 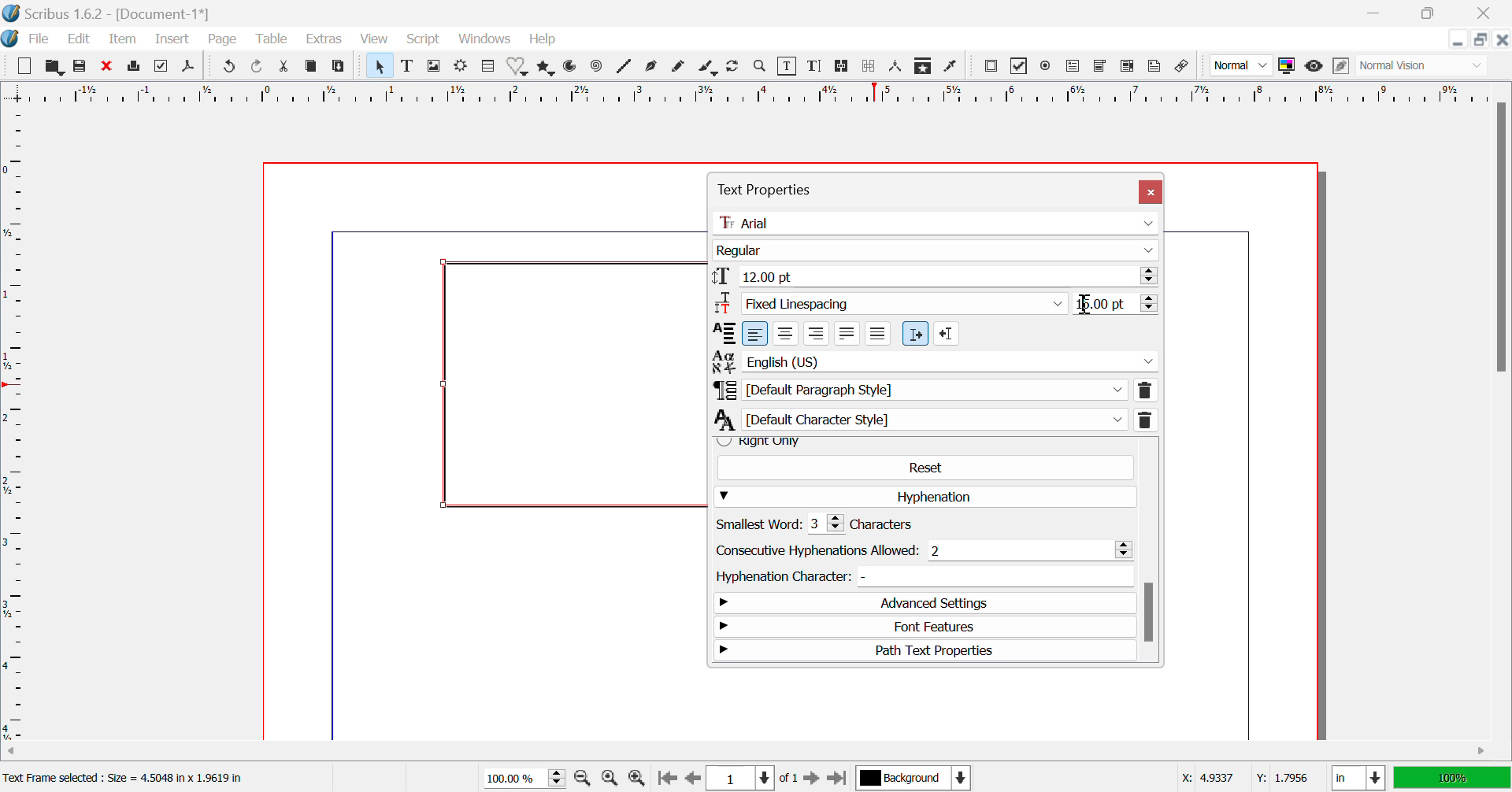 I want to click on Link annotation, so click(x=1185, y=67).